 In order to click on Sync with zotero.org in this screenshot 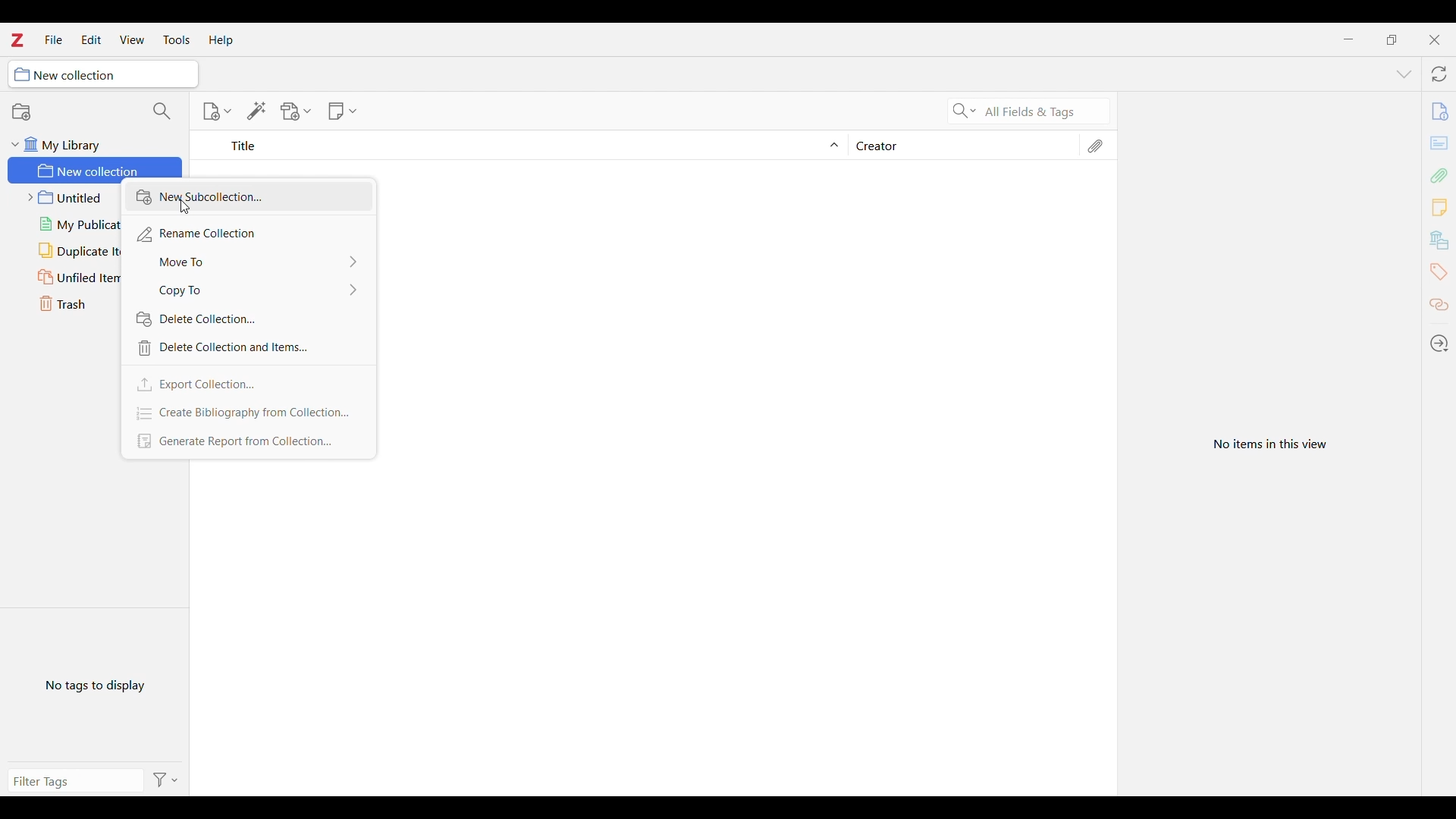, I will do `click(1439, 74)`.